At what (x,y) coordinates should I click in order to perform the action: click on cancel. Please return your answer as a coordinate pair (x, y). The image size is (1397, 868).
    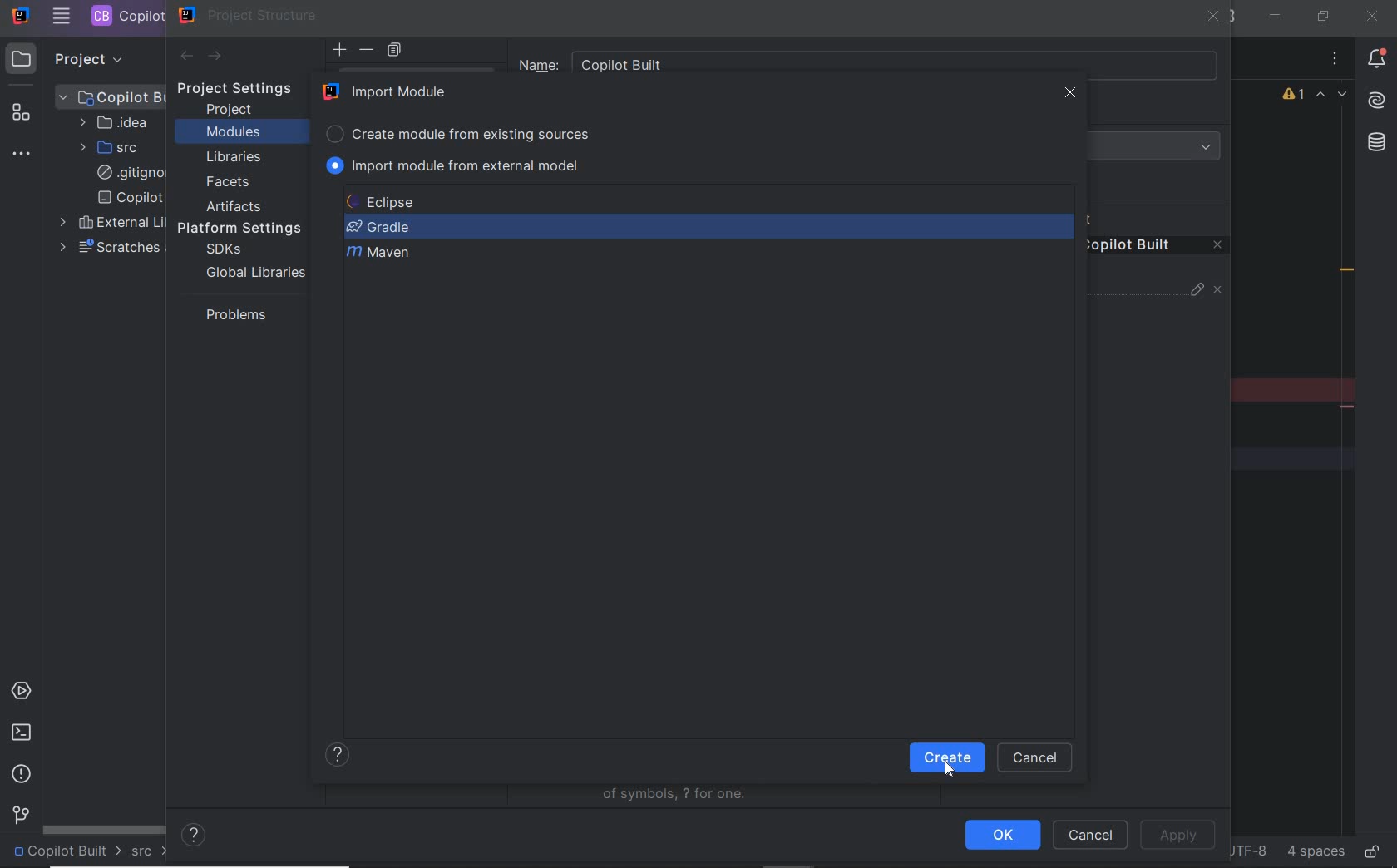
    Looking at the image, I should click on (1036, 758).